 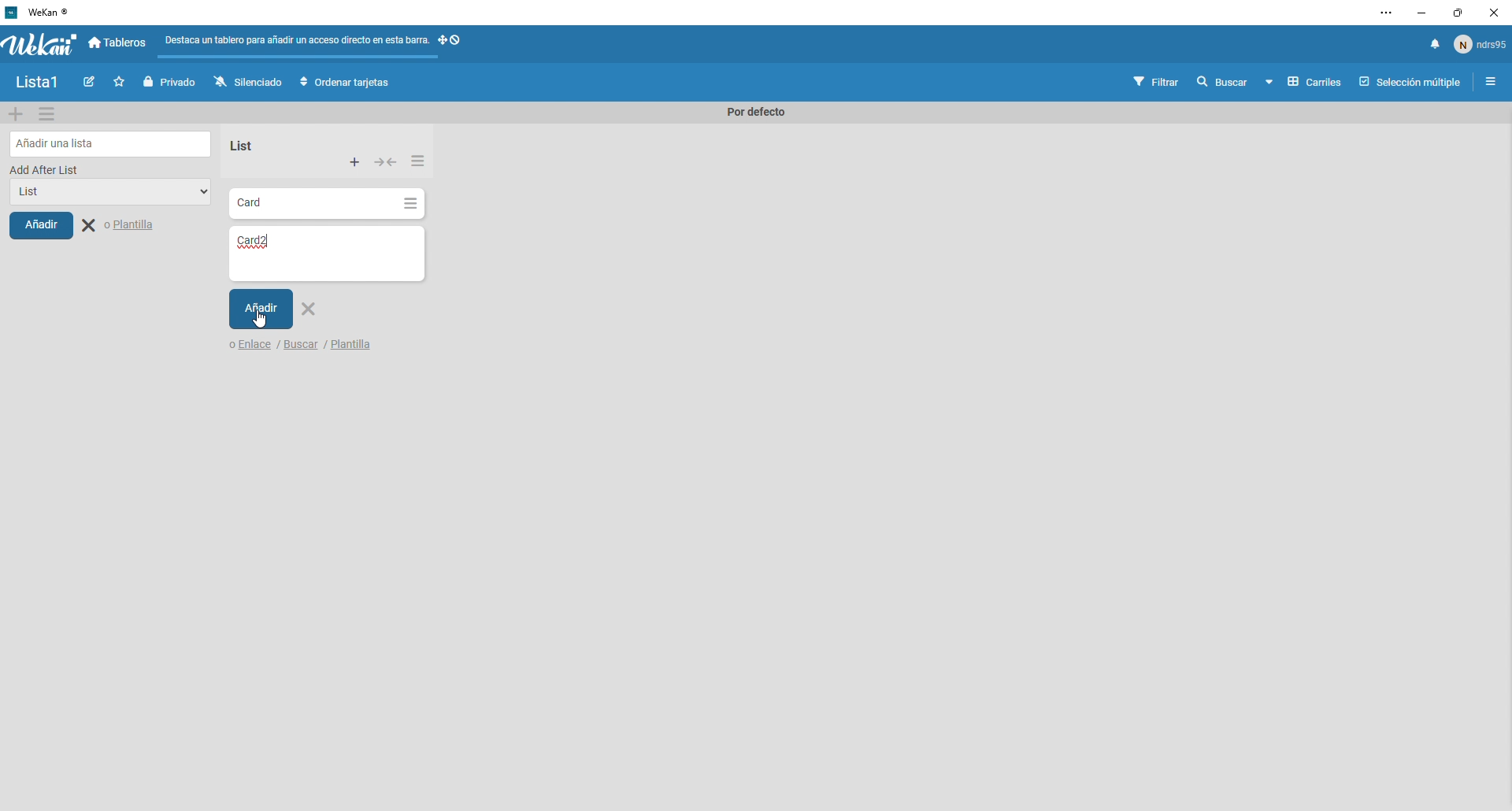 What do you see at coordinates (410, 206) in the screenshot?
I see `card options` at bounding box center [410, 206].